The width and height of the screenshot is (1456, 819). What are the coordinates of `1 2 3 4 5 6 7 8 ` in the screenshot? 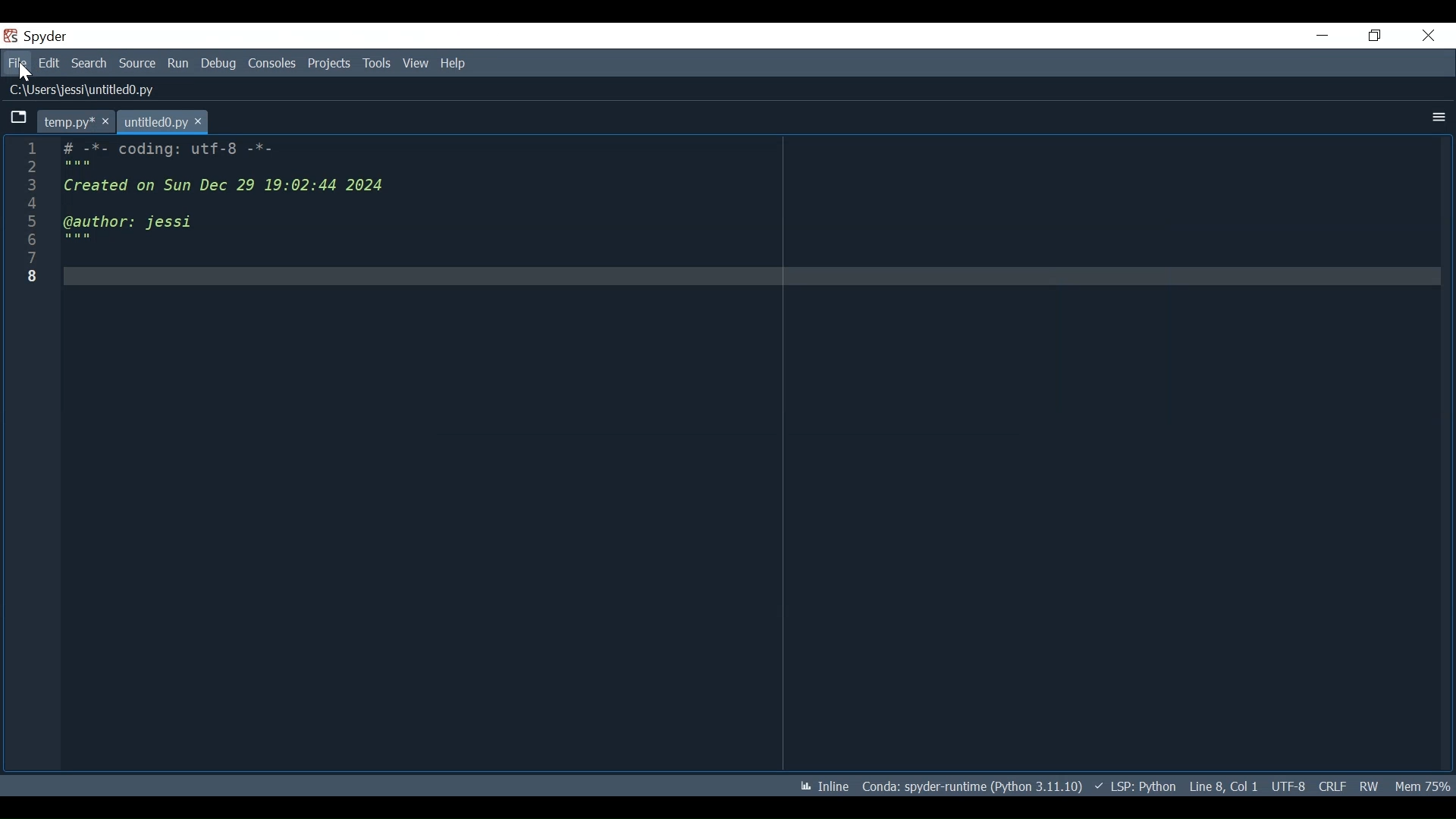 It's located at (30, 213).